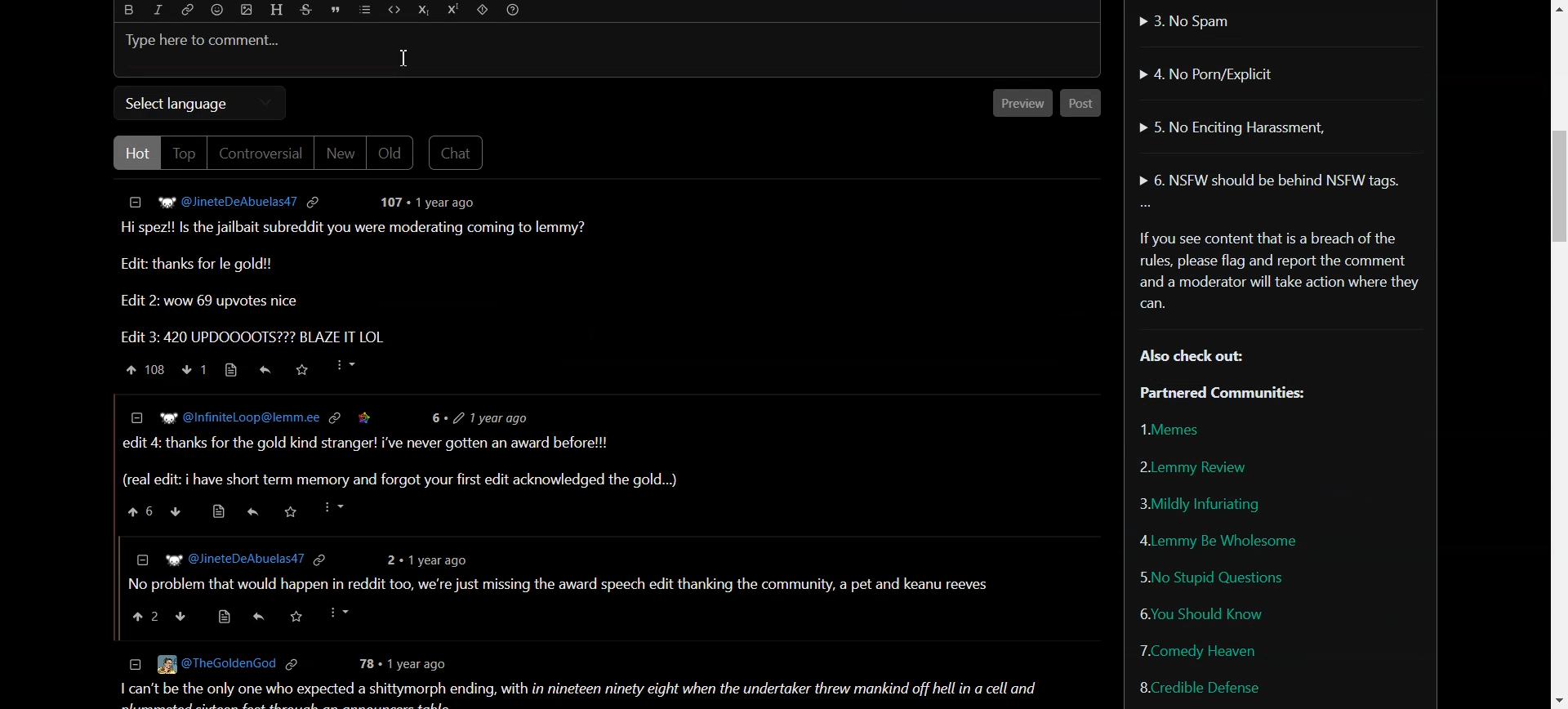 The image size is (1568, 709). Describe the element at coordinates (176, 511) in the screenshot. I see `downvote` at that location.